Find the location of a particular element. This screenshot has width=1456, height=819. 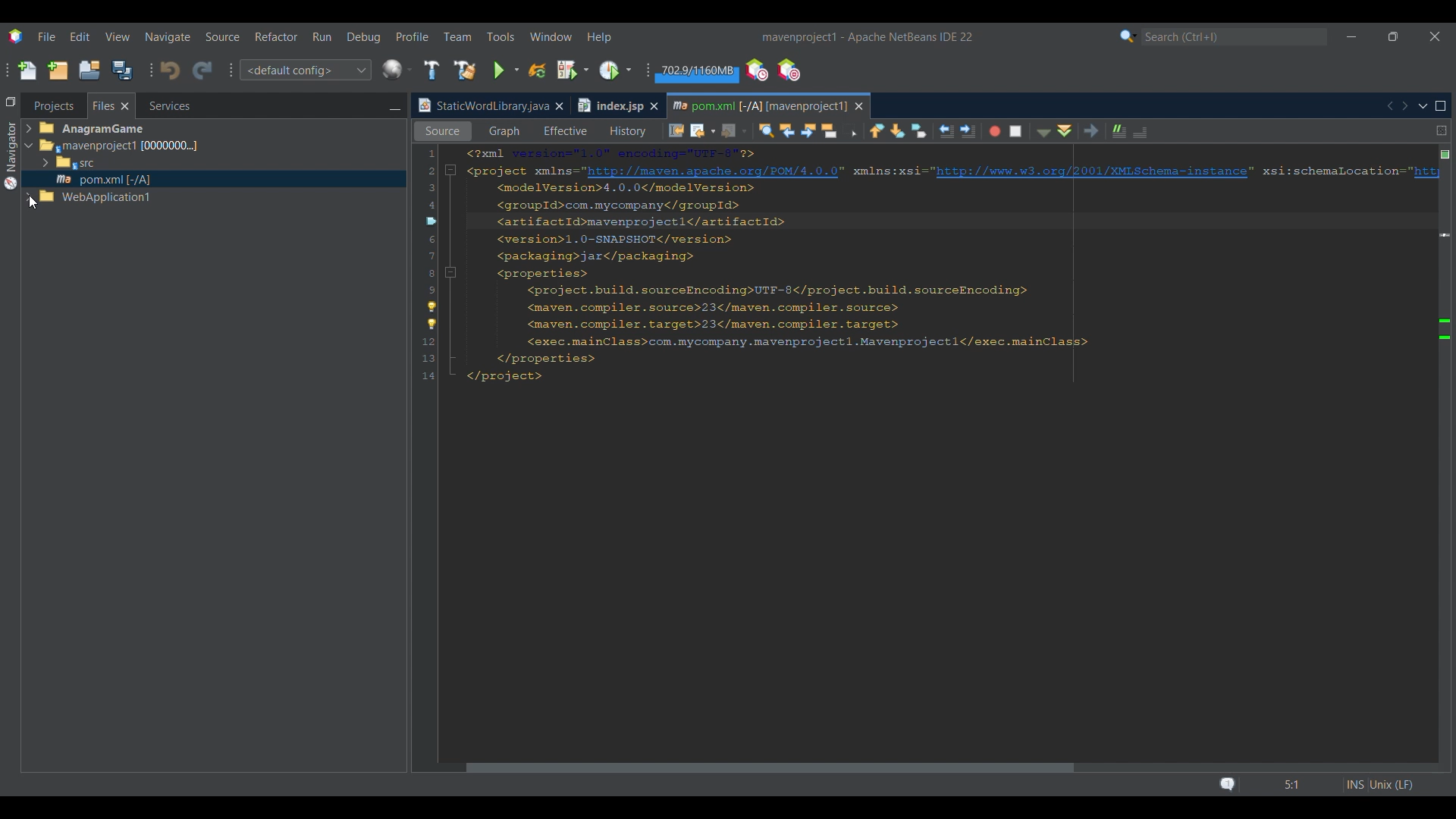

Close interface is located at coordinates (1436, 36).